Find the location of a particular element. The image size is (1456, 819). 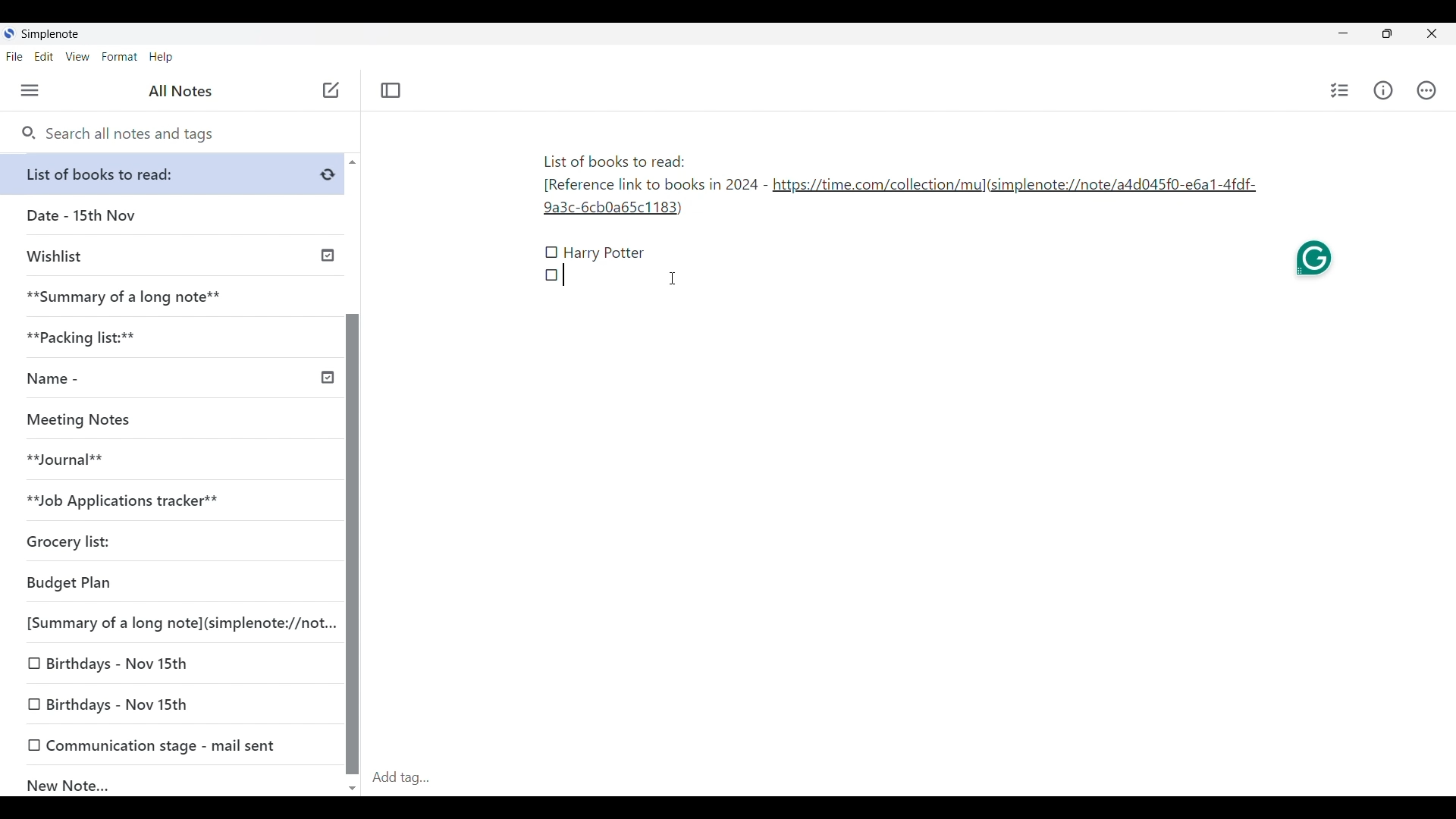

add note is located at coordinates (329, 89).